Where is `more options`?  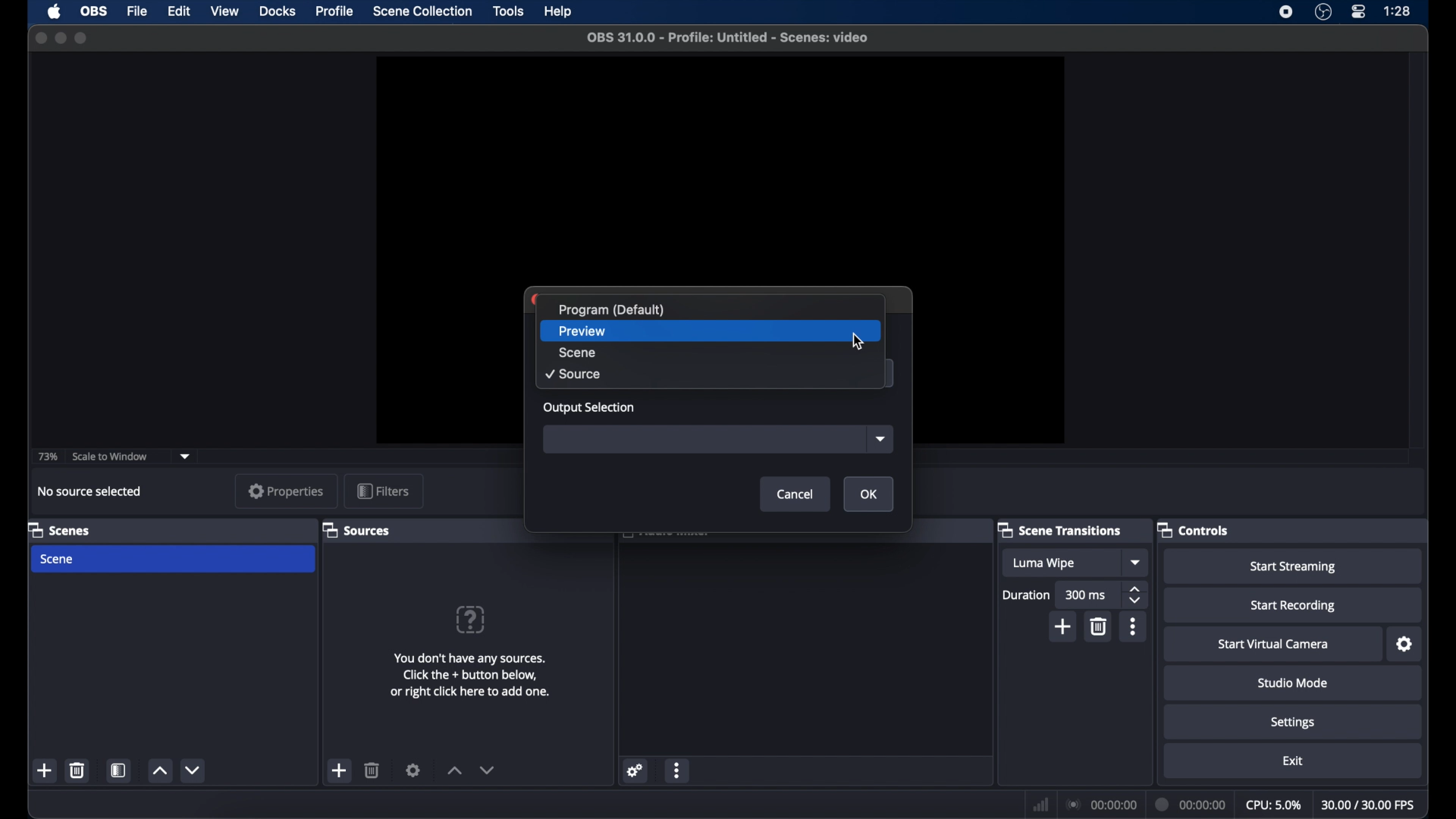 more options is located at coordinates (1132, 626).